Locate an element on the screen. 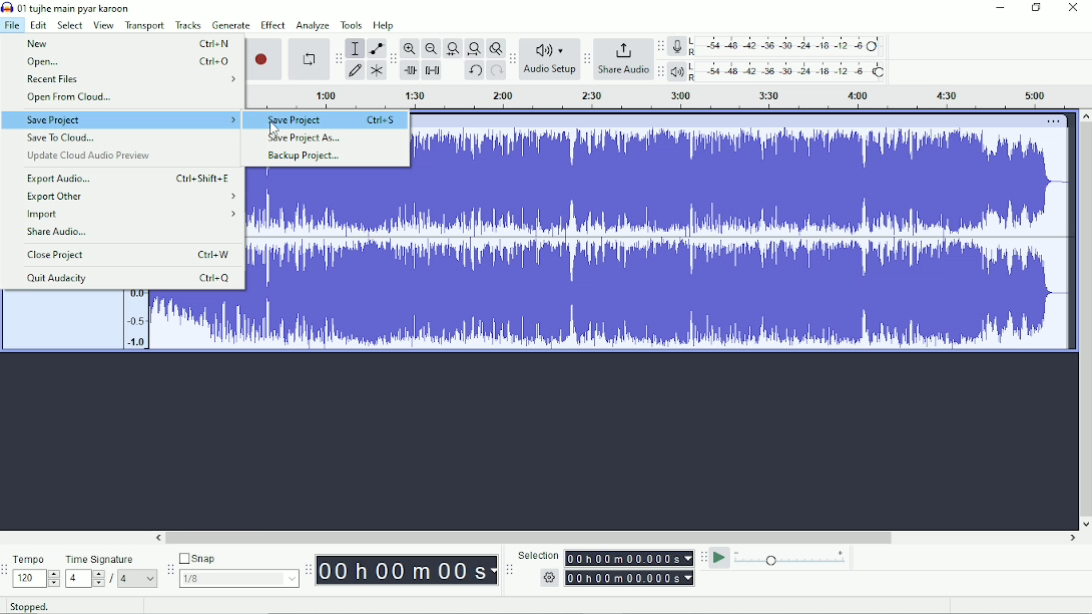 The height and width of the screenshot is (614, 1092). Record meter is located at coordinates (778, 46).